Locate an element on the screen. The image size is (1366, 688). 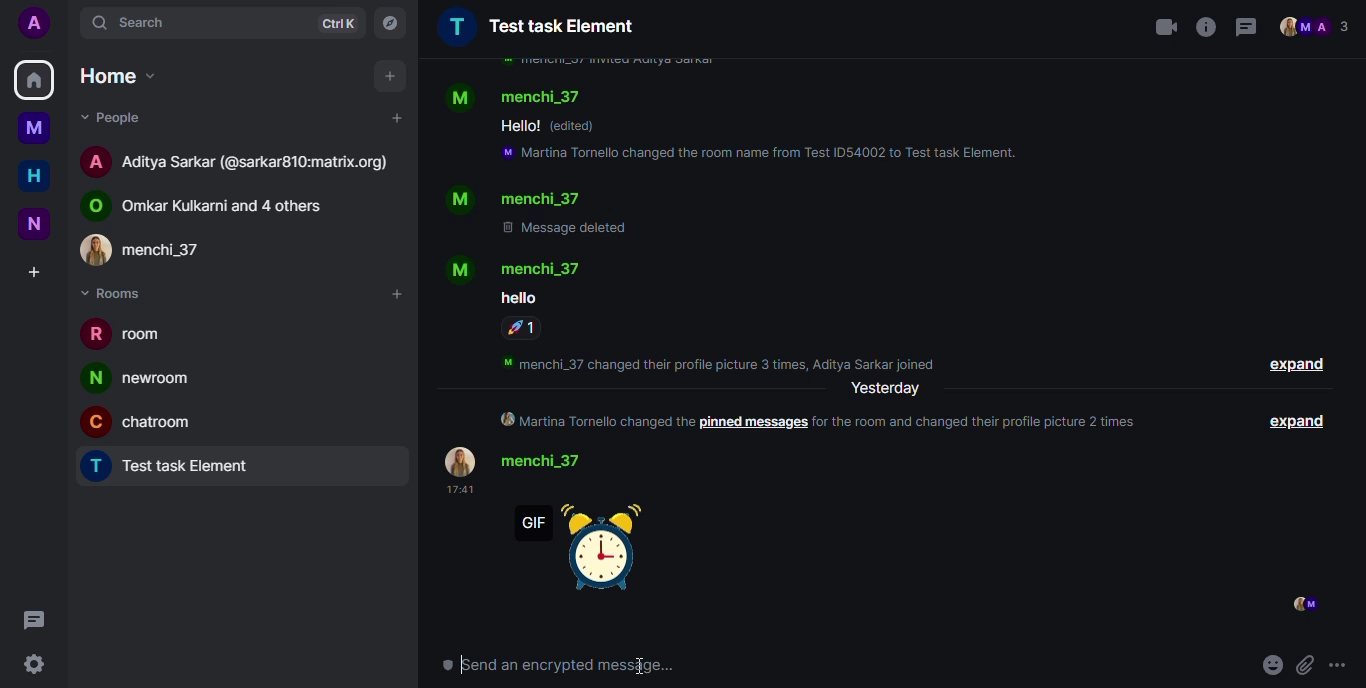
home is located at coordinates (34, 177).